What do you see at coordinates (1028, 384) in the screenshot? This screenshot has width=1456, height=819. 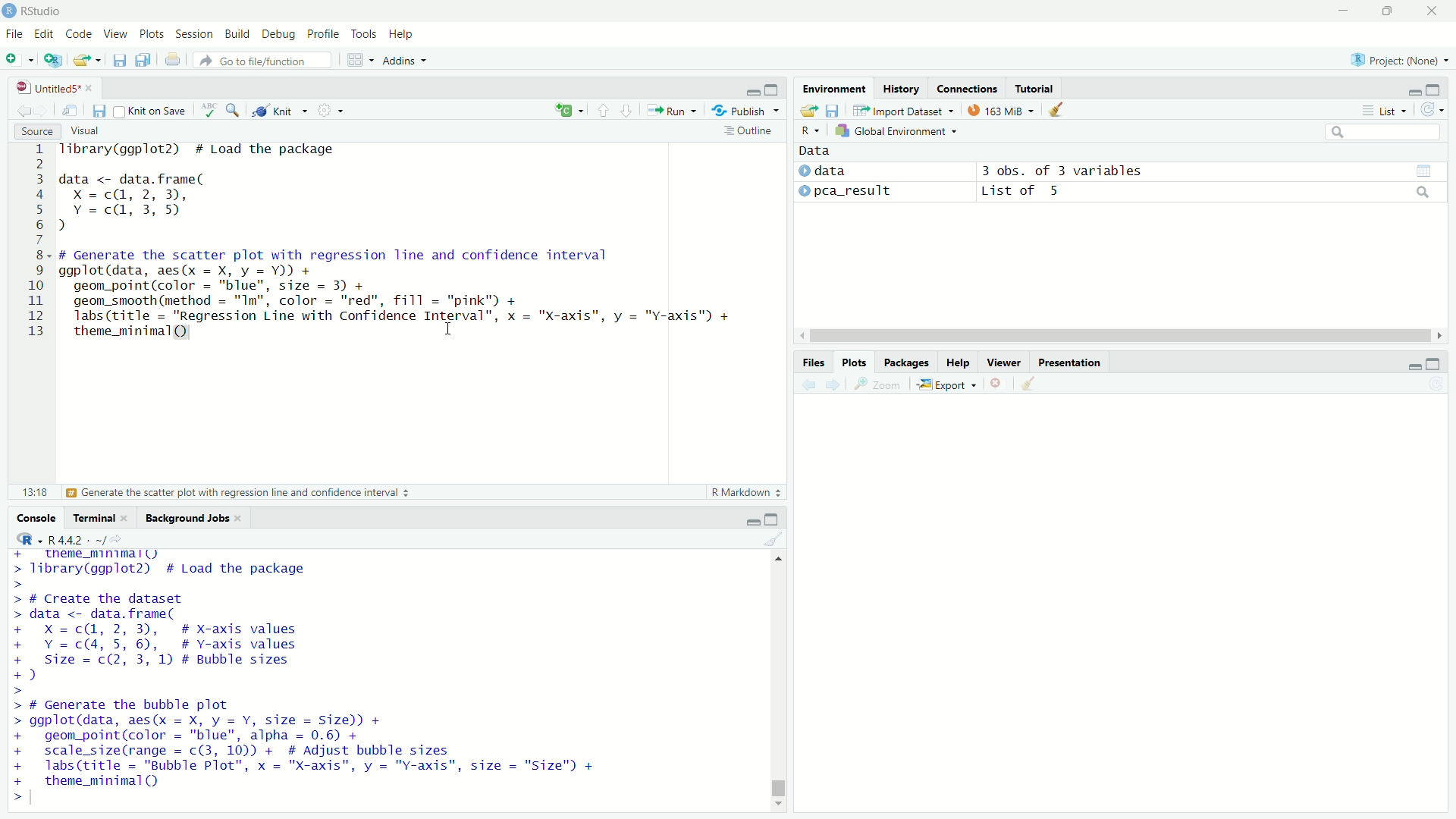 I see `Clear all plots` at bounding box center [1028, 384].